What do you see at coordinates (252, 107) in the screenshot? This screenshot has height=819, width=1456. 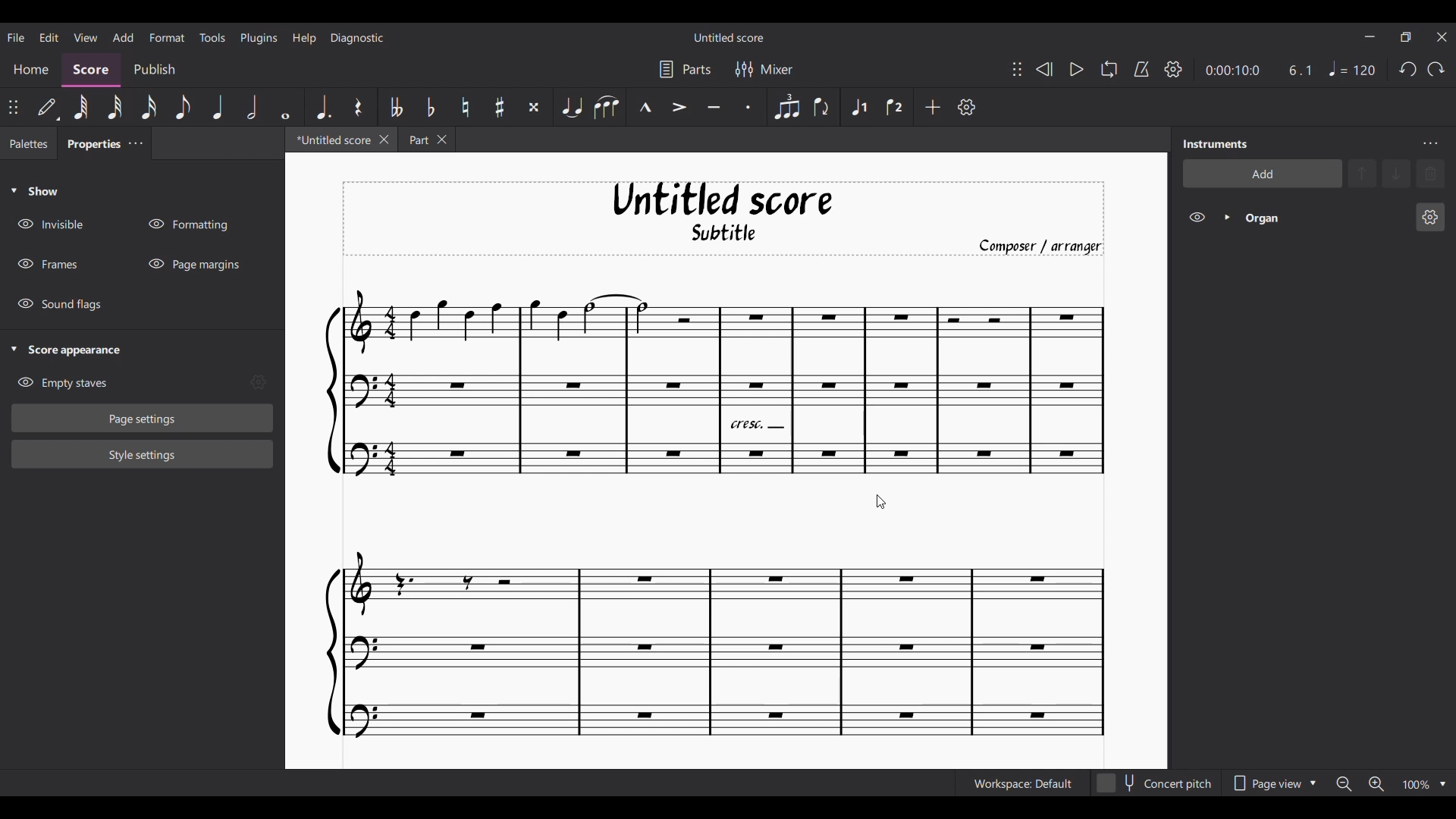 I see `Half note` at bounding box center [252, 107].